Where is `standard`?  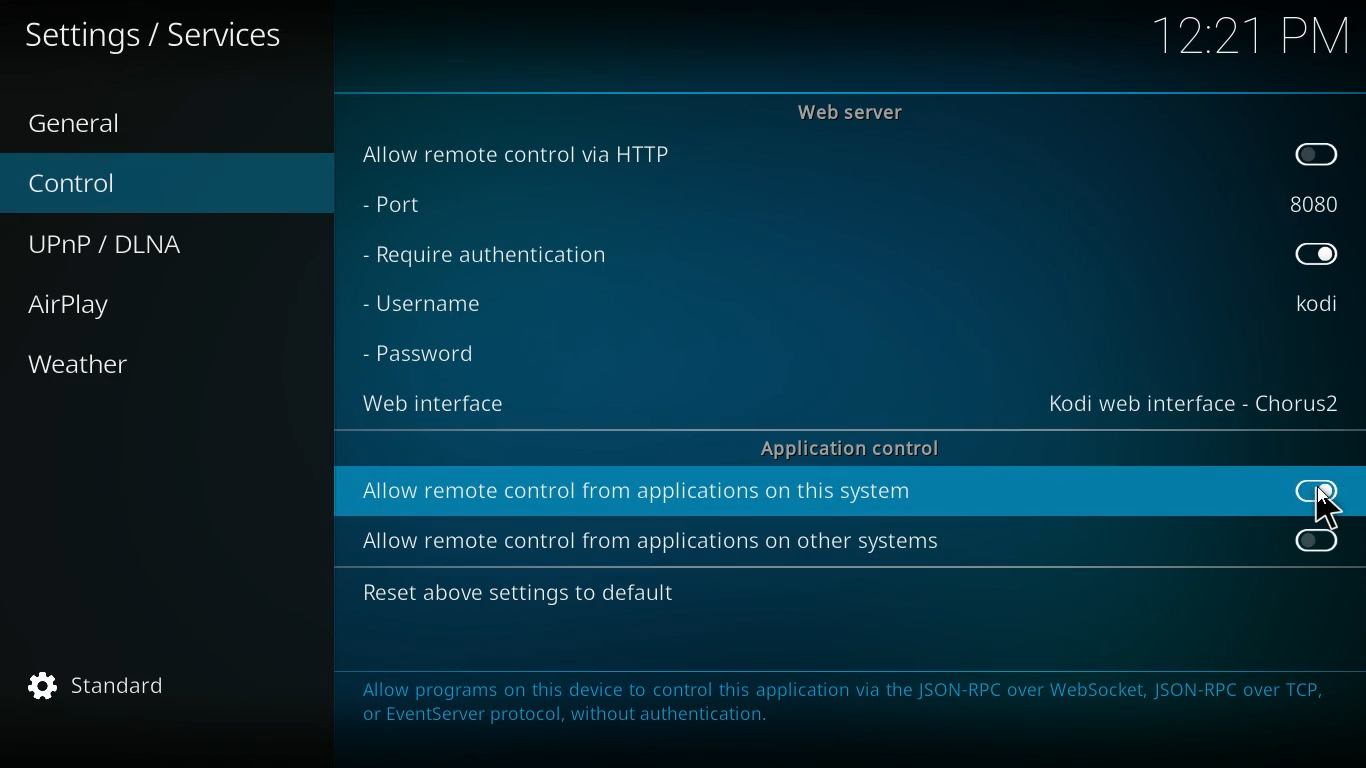 standard is located at coordinates (122, 691).